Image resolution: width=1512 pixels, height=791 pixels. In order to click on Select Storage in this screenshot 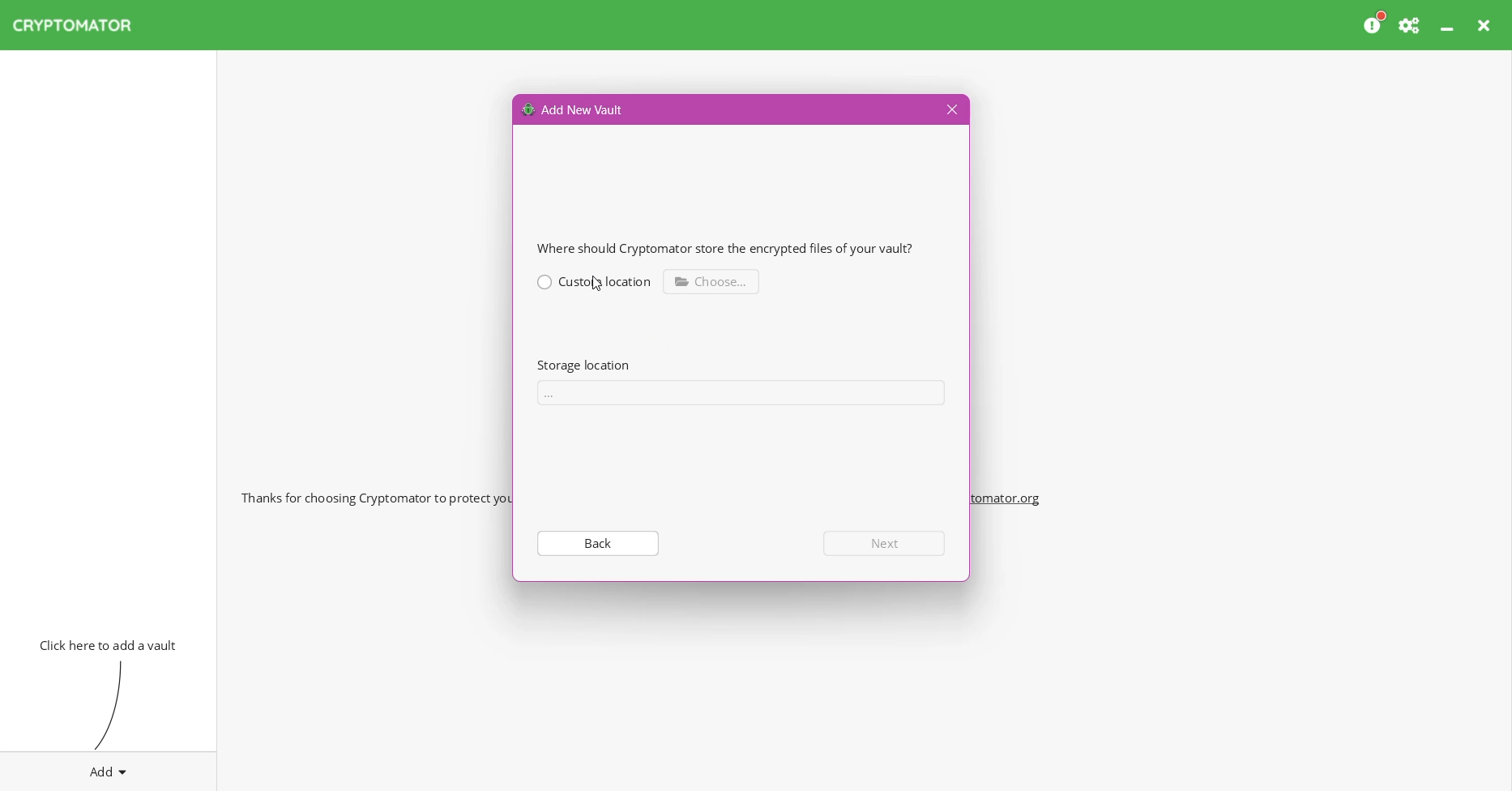, I will do `click(747, 392)`.